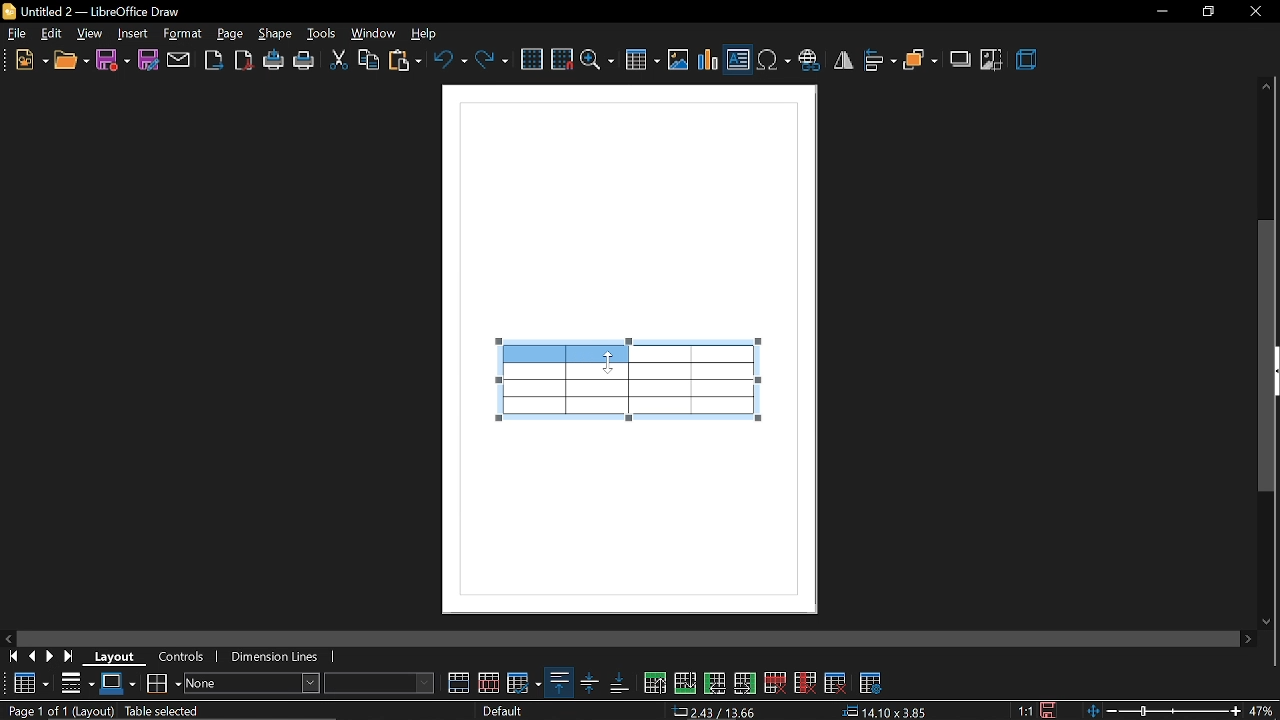 The width and height of the screenshot is (1280, 720). I want to click on align top, so click(558, 682).